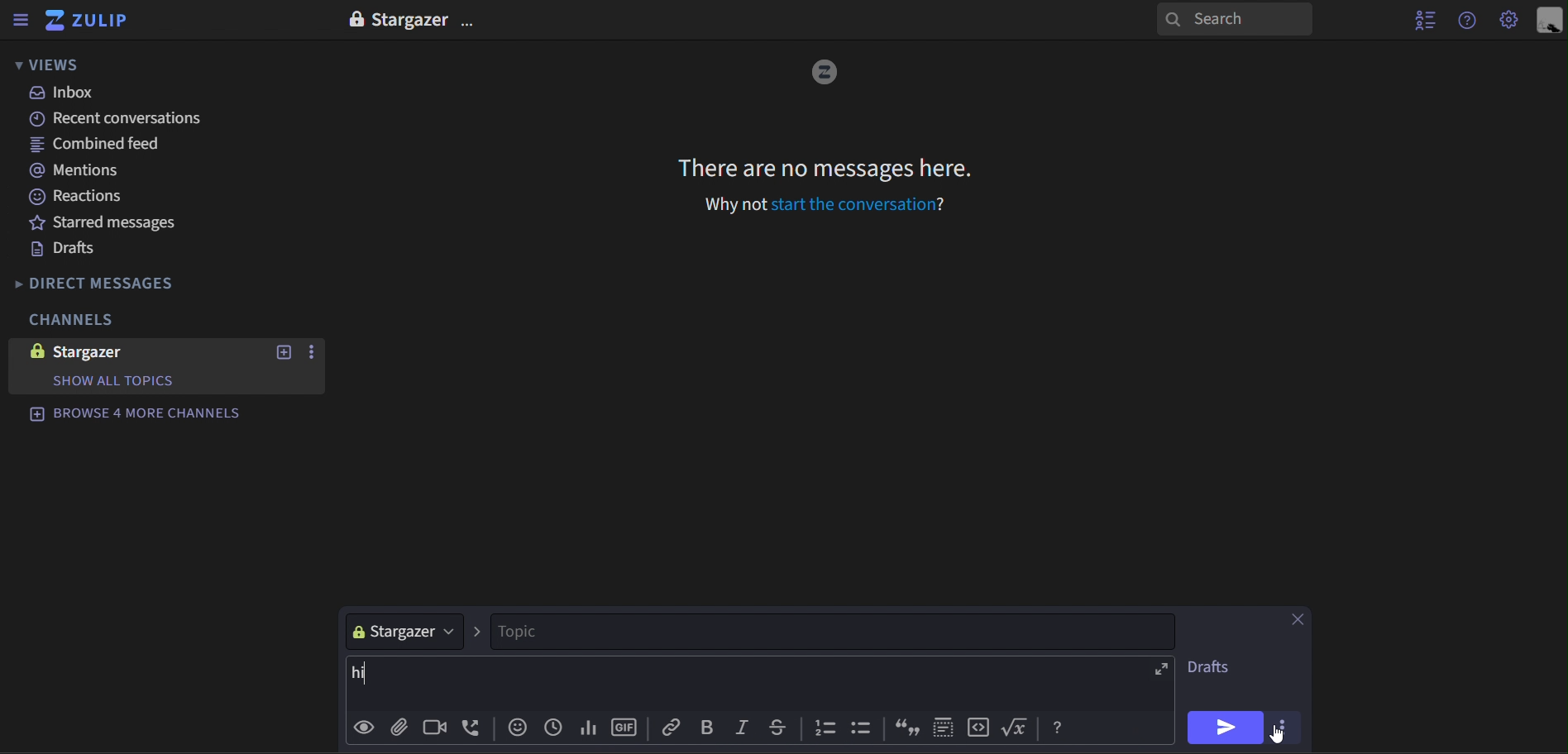  I want to click on cursor, so click(1287, 733).